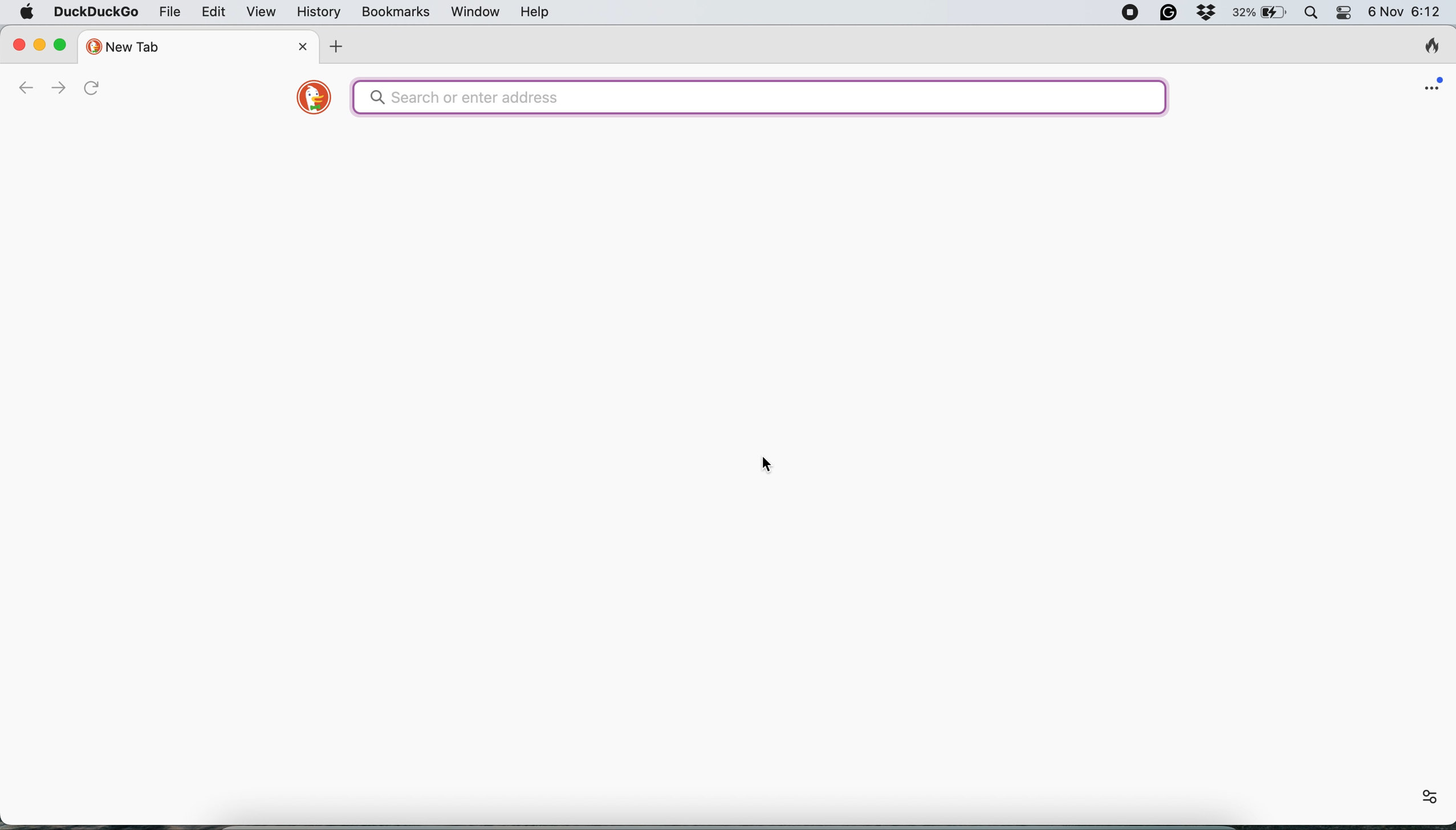 The width and height of the screenshot is (1456, 830). What do you see at coordinates (304, 46) in the screenshot?
I see `close` at bounding box center [304, 46].